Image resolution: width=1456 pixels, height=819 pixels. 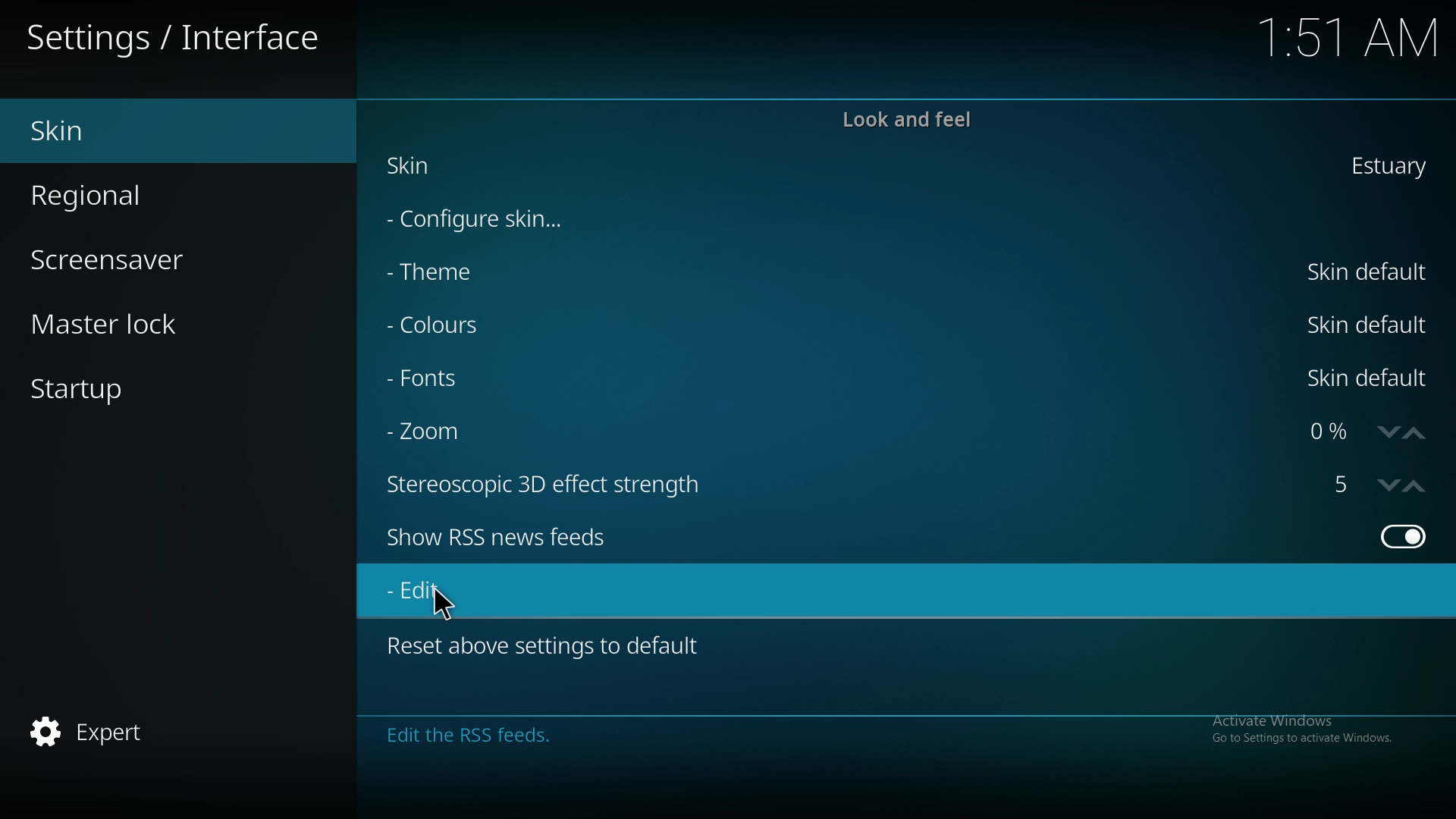 I want to click on skin default, so click(x=1370, y=378).